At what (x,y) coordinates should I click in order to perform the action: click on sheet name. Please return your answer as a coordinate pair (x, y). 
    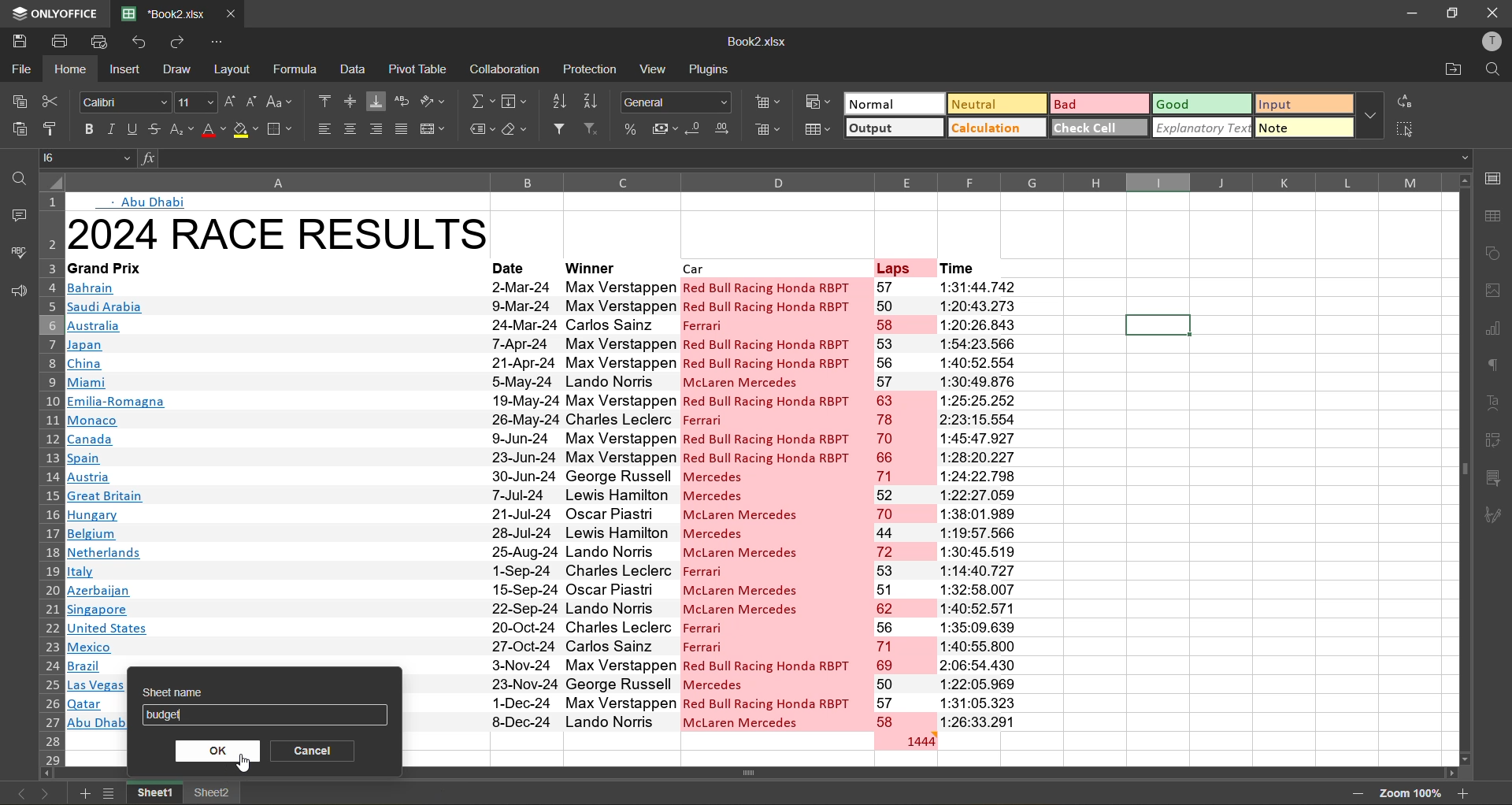
    Looking at the image, I should click on (265, 688).